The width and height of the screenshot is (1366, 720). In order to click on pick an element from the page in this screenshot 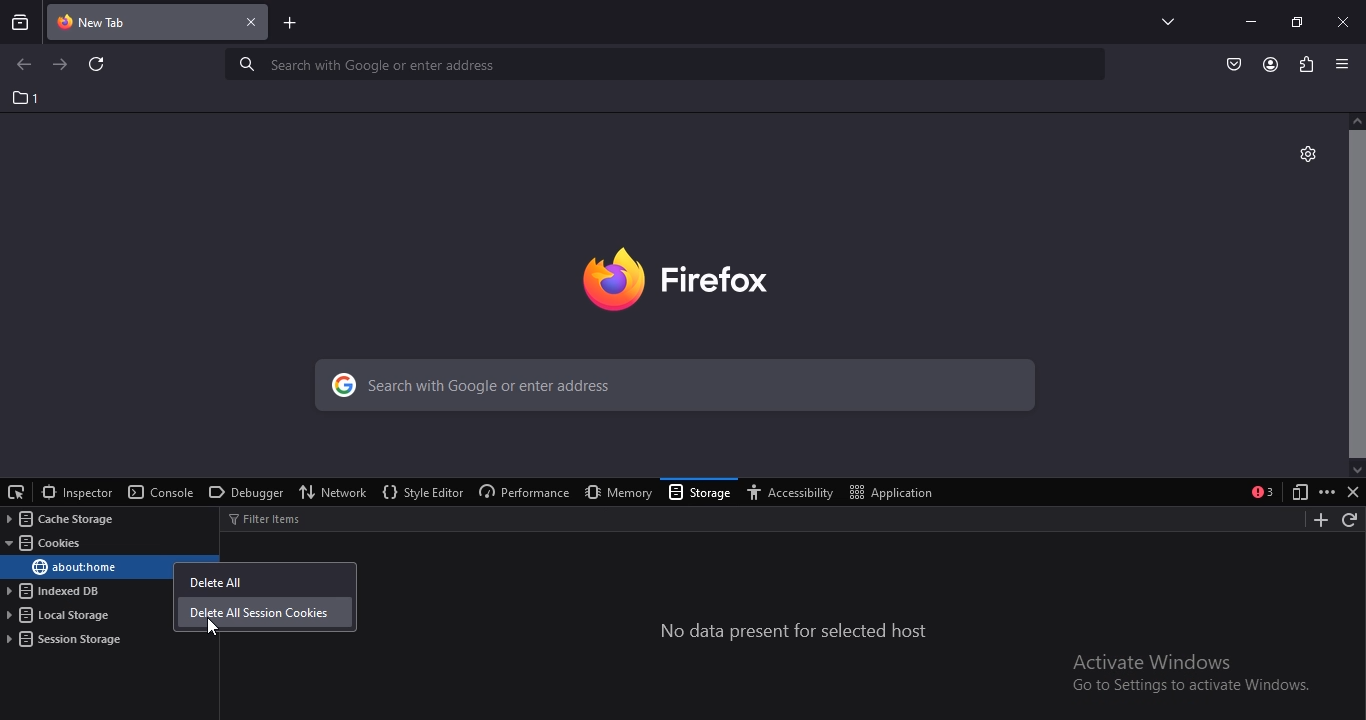, I will do `click(17, 490)`.